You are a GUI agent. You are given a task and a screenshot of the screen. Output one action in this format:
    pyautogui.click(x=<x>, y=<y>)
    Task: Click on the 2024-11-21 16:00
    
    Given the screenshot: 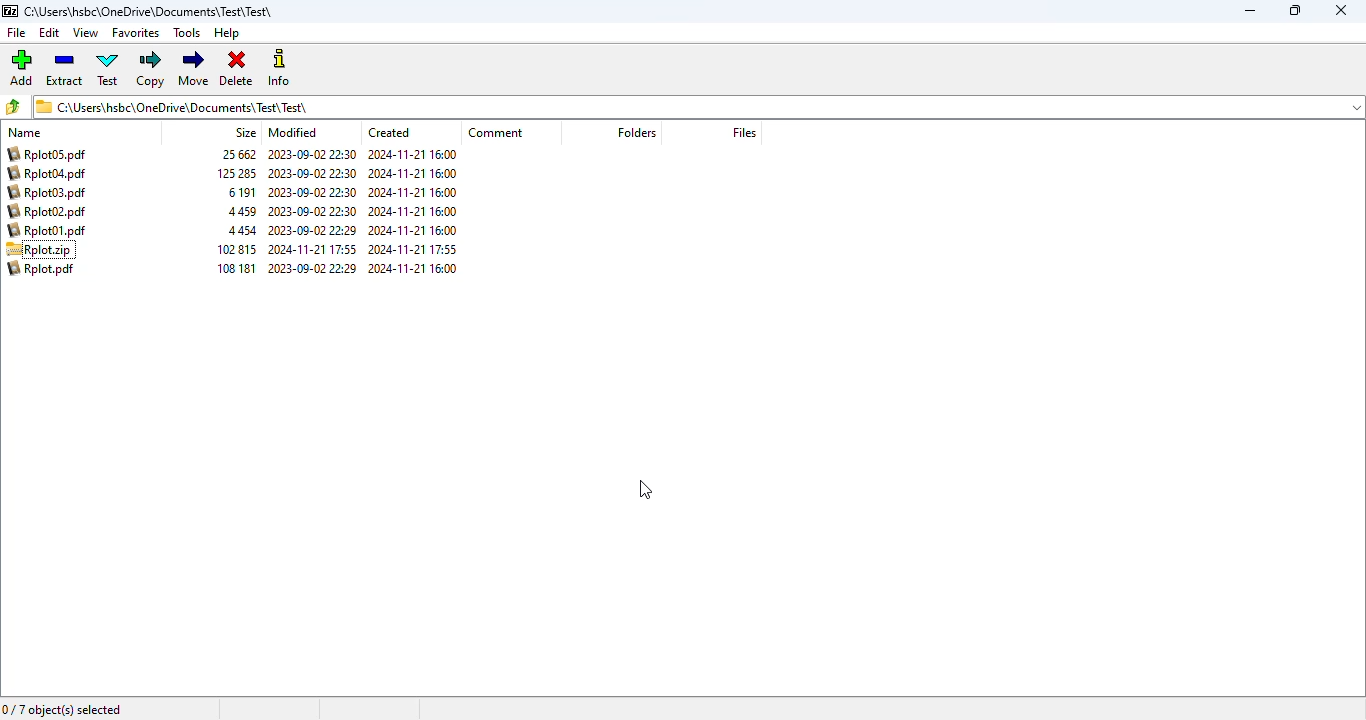 What is the action you would take?
    pyautogui.click(x=413, y=211)
    